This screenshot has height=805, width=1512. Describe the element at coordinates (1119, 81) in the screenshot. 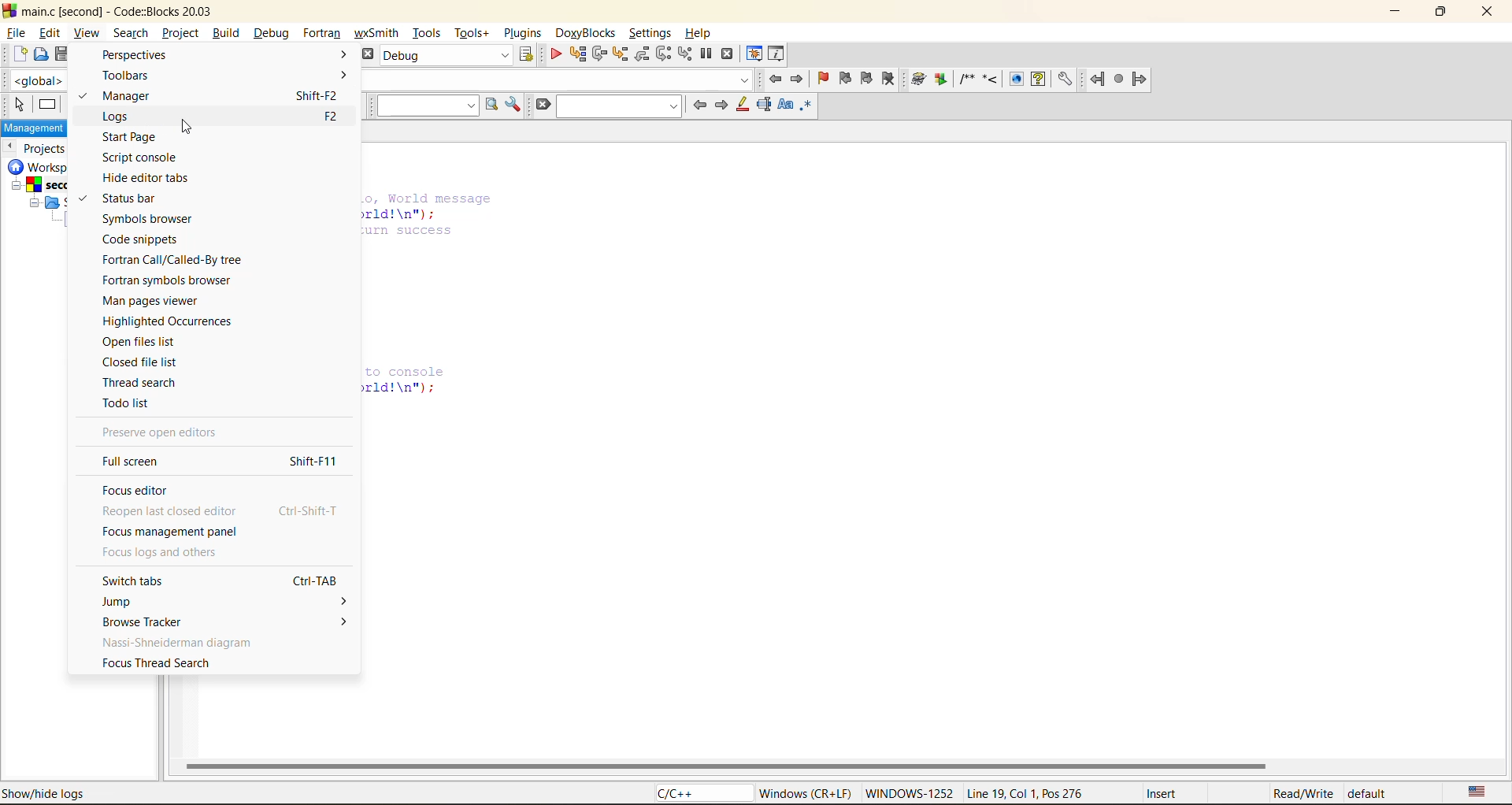

I see `fortran` at that location.